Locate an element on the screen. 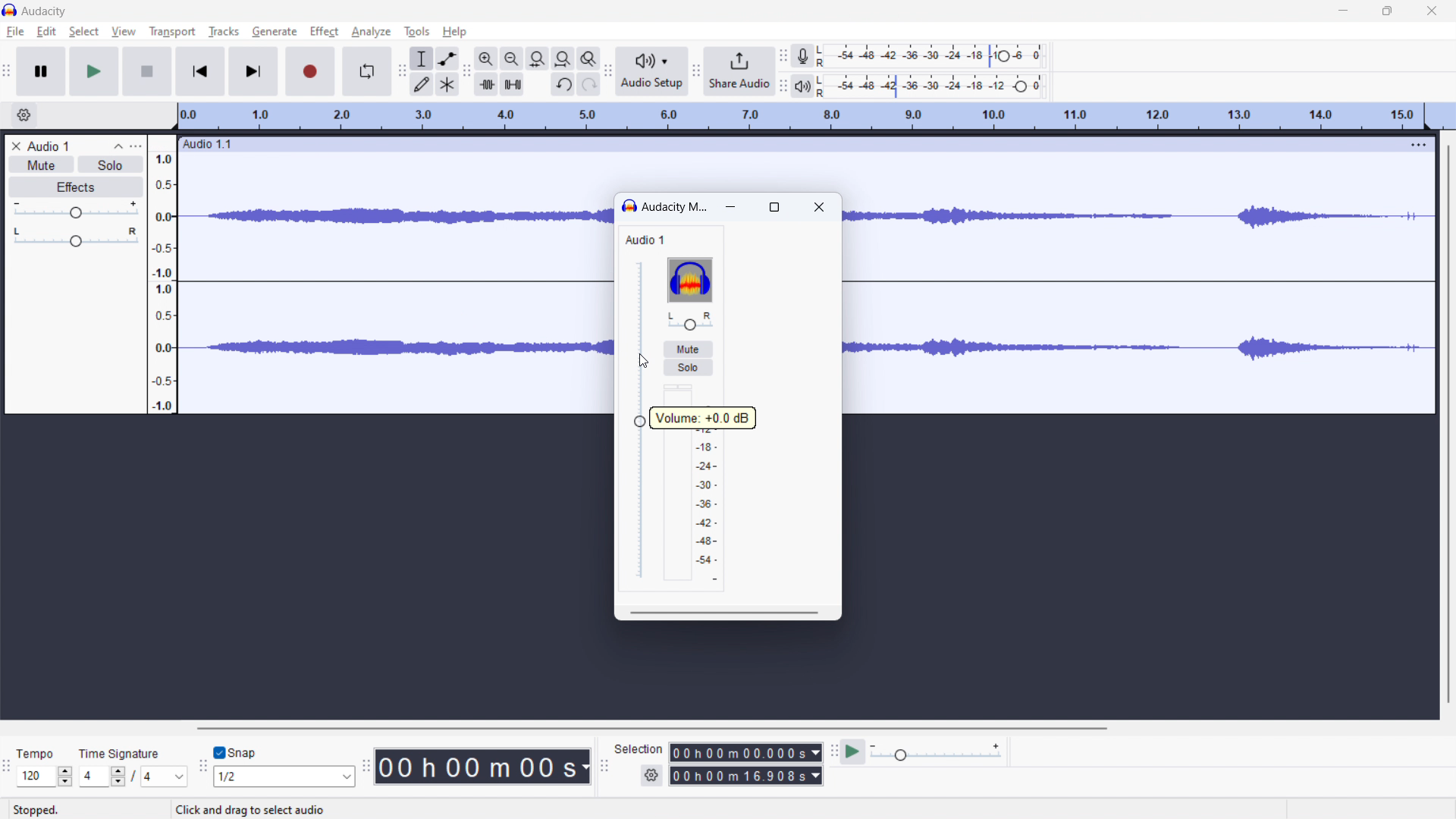 This screenshot has height=819, width=1456. logo is located at coordinates (629, 207).